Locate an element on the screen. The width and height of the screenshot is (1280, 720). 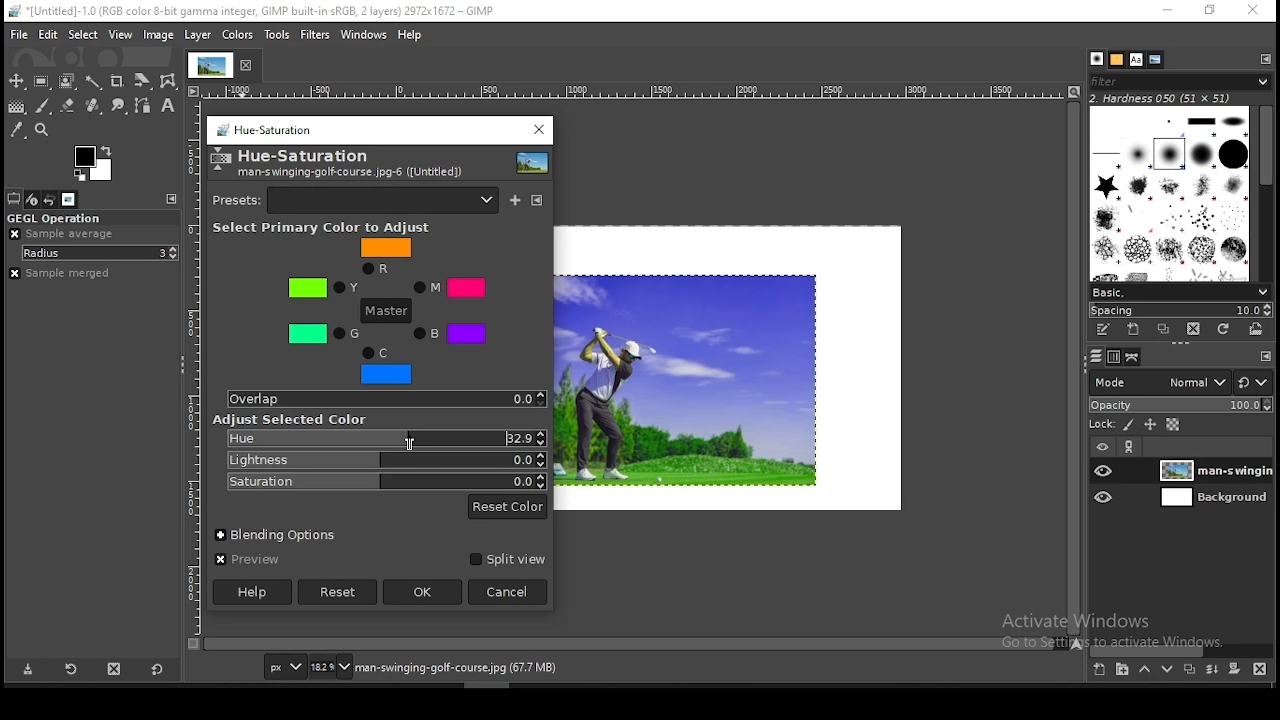
brushes is located at coordinates (1169, 194).